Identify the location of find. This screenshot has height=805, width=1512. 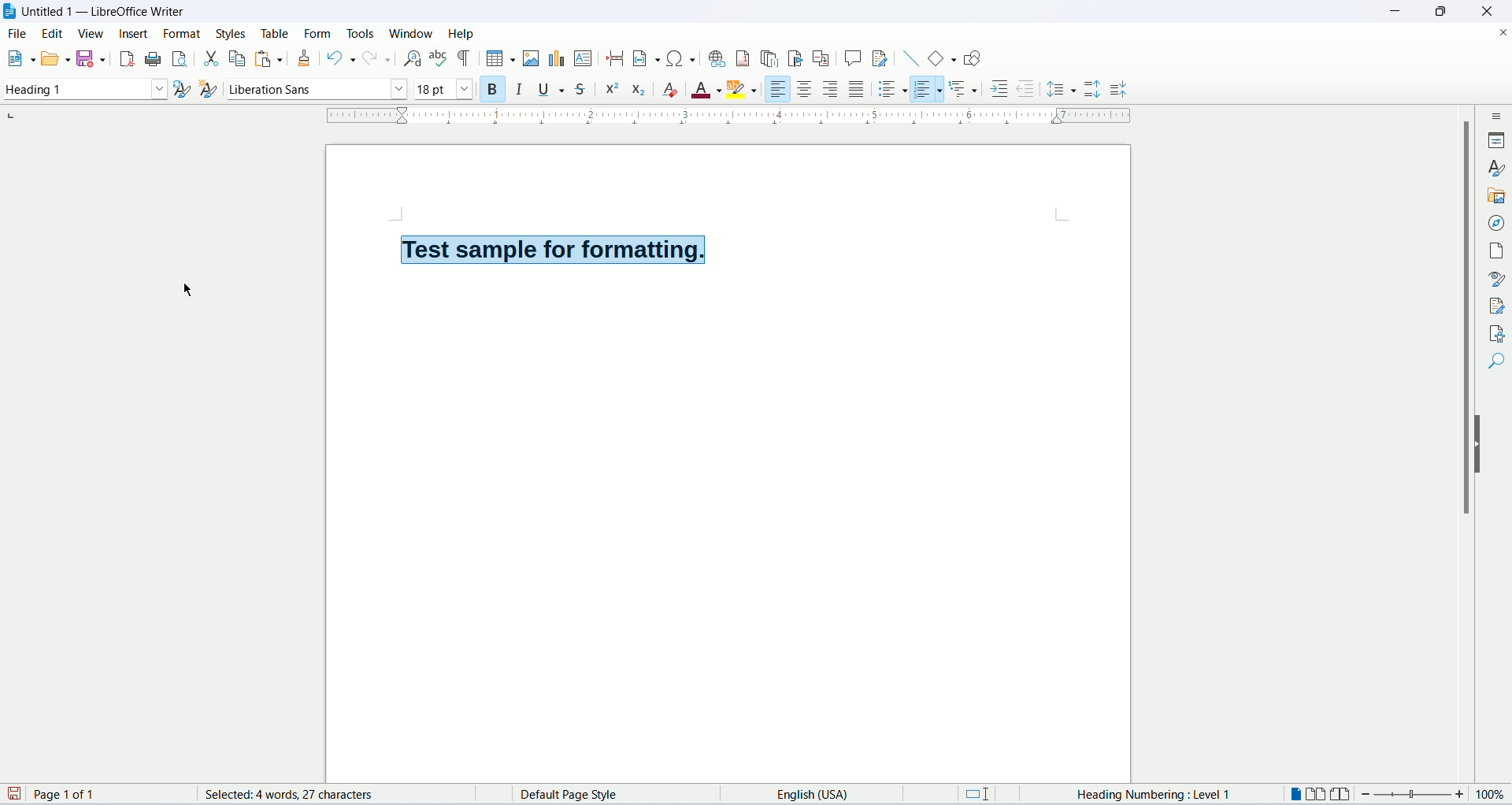
(1495, 363).